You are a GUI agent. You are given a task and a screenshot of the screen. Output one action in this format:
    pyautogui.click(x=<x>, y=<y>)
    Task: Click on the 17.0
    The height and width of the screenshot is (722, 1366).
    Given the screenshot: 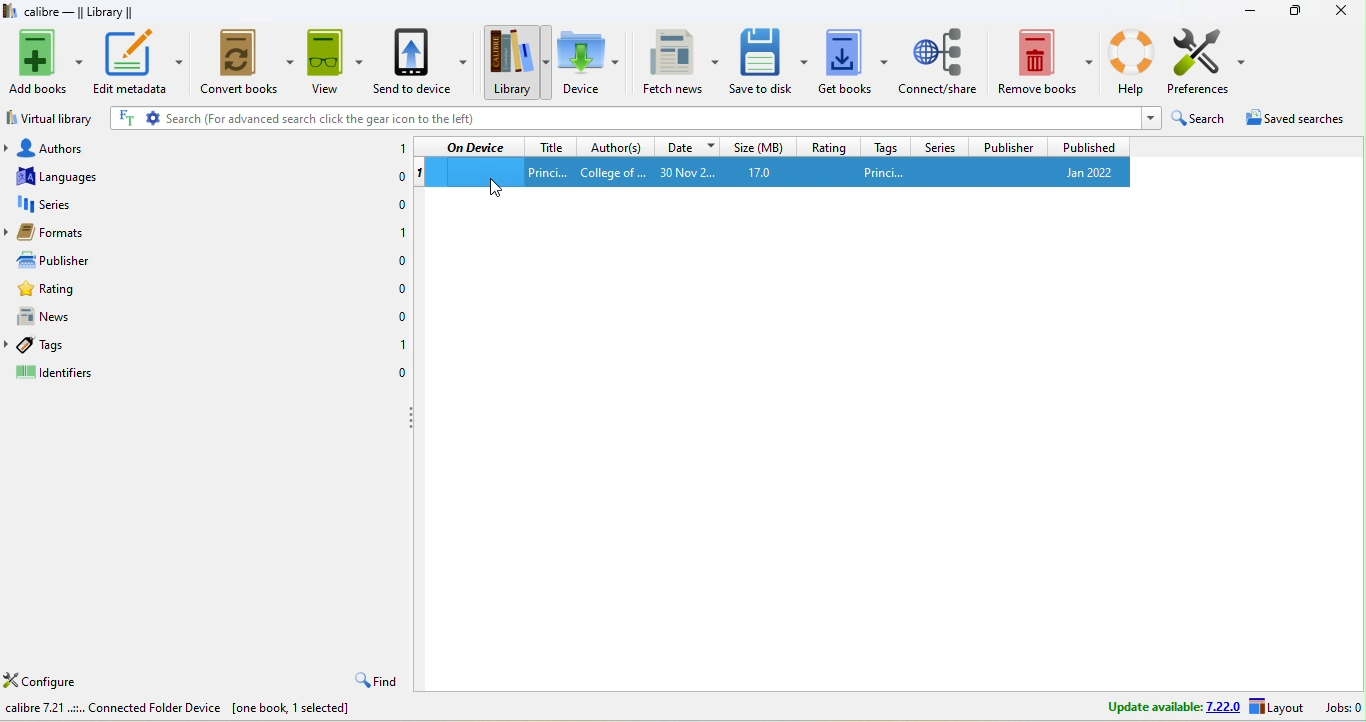 What is the action you would take?
    pyautogui.click(x=773, y=172)
    